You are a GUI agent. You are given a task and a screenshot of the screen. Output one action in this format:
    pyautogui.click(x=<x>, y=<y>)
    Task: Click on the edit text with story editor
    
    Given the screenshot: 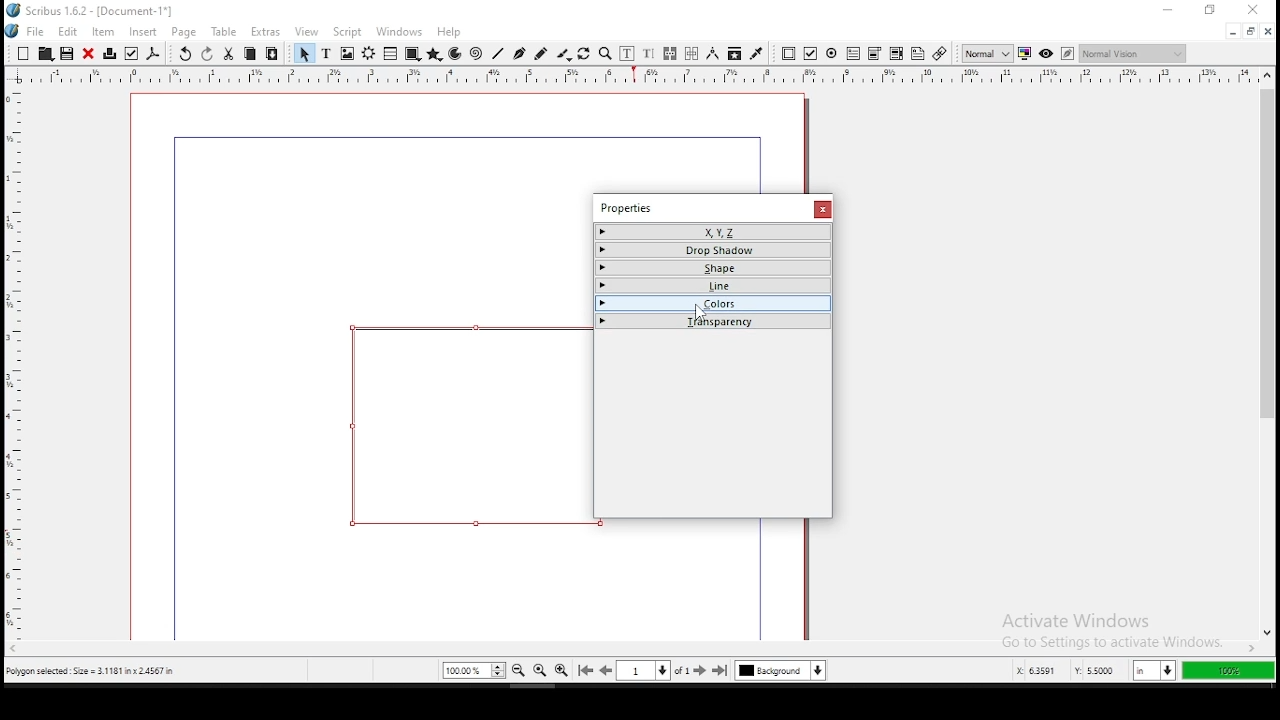 What is the action you would take?
    pyautogui.click(x=648, y=54)
    